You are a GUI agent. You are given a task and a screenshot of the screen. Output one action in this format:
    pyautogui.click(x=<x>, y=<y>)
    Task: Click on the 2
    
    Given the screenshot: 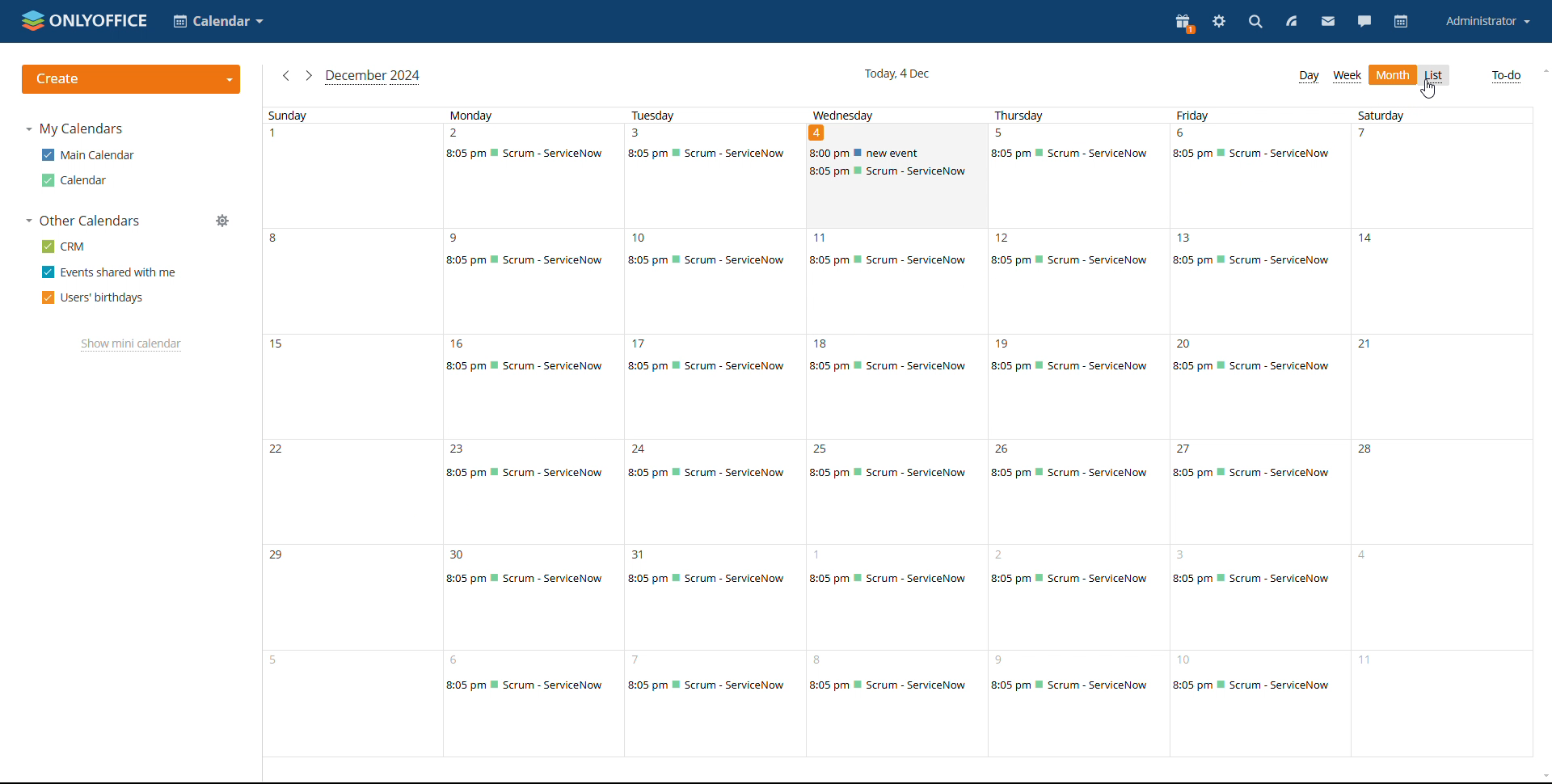 What is the action you would take?
    pyautogui.click(x=457, y=133)
    